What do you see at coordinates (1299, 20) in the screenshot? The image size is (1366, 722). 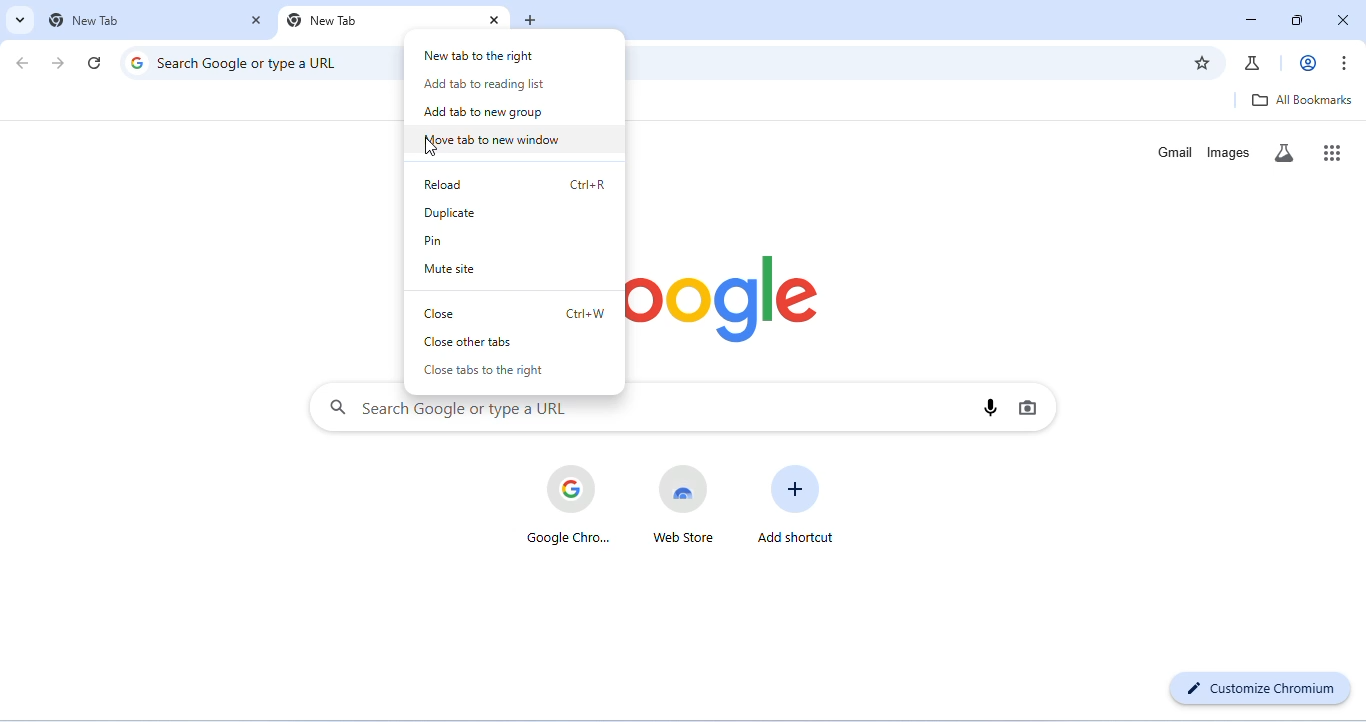 I see `maximize` at bounding box center [1299, 20].